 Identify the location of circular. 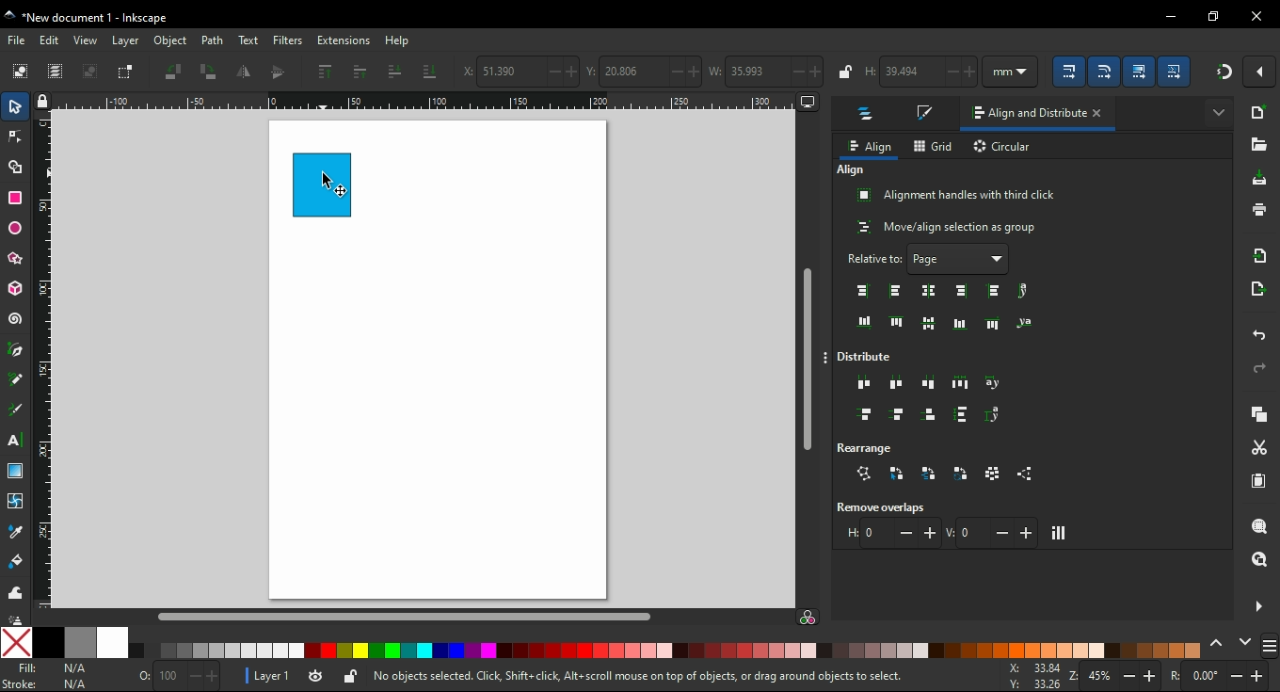
(1004, 148).